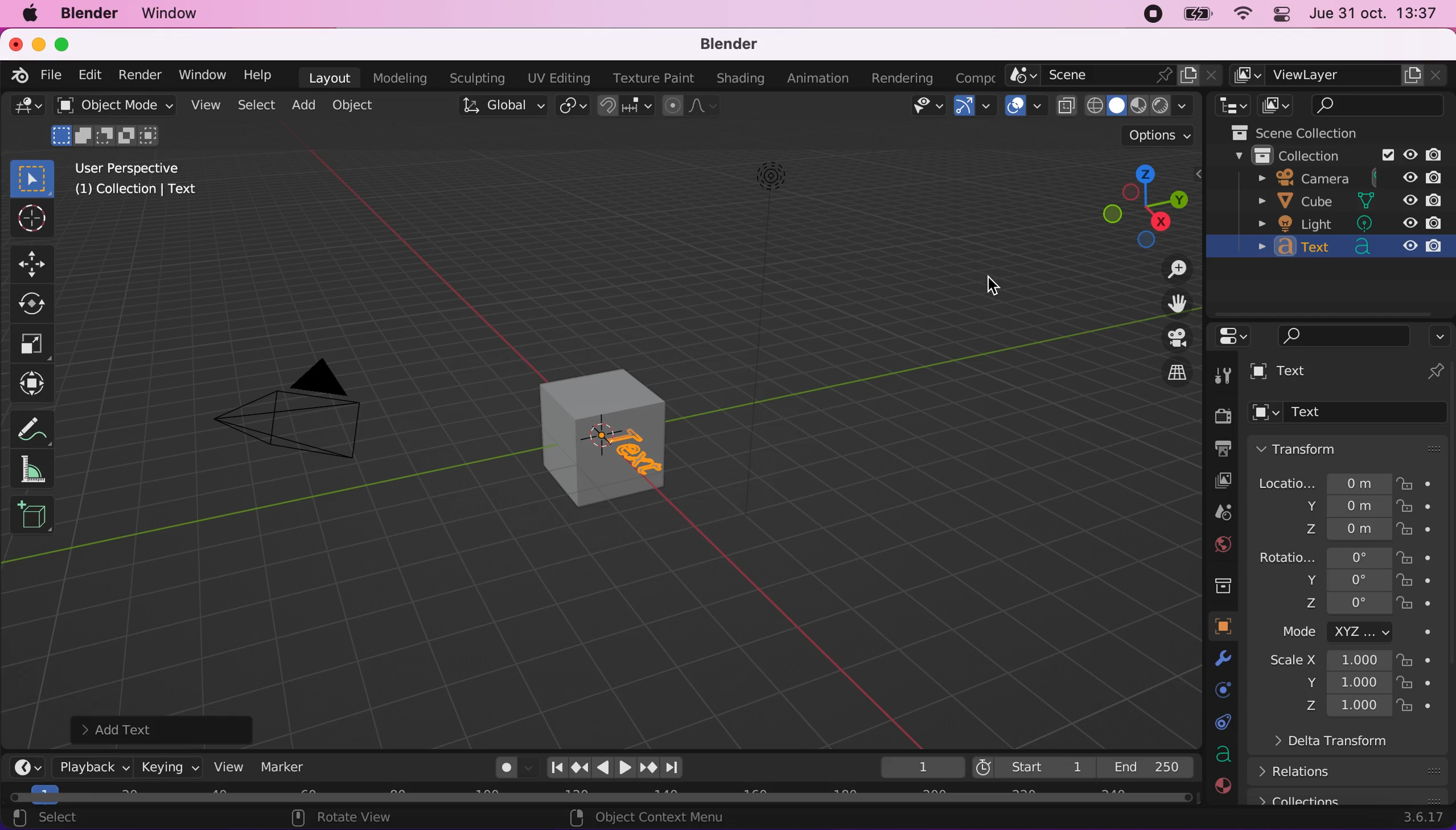 The height and width of the screenshot is (830, 1456). I want to click on move, so click(35, 261).